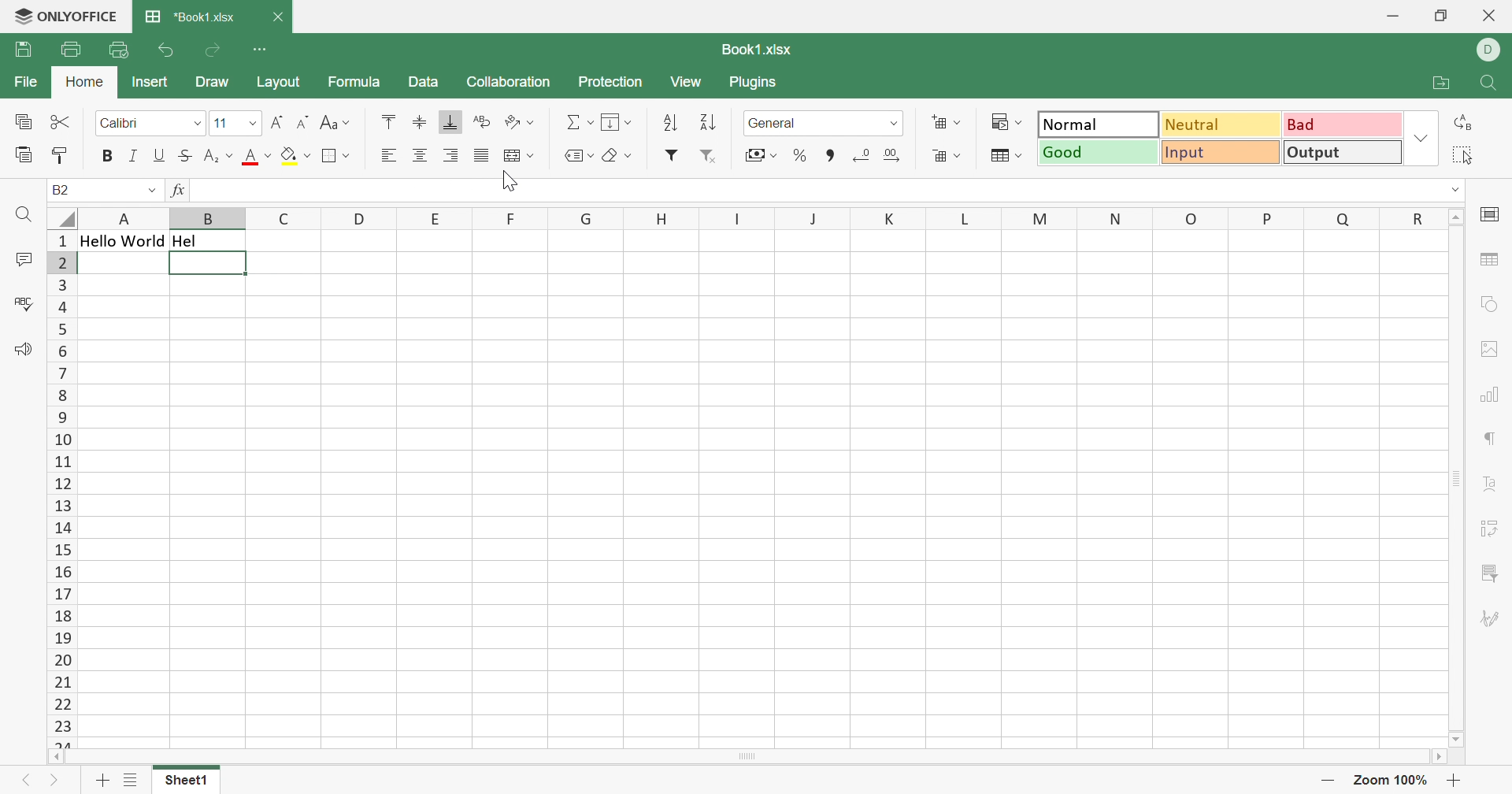 The width and height of the screenshot is (1512, 794). What do you see at coordinates (821, 123) in the screenshot?
I see `Number format` at bounding box center [821, 123].